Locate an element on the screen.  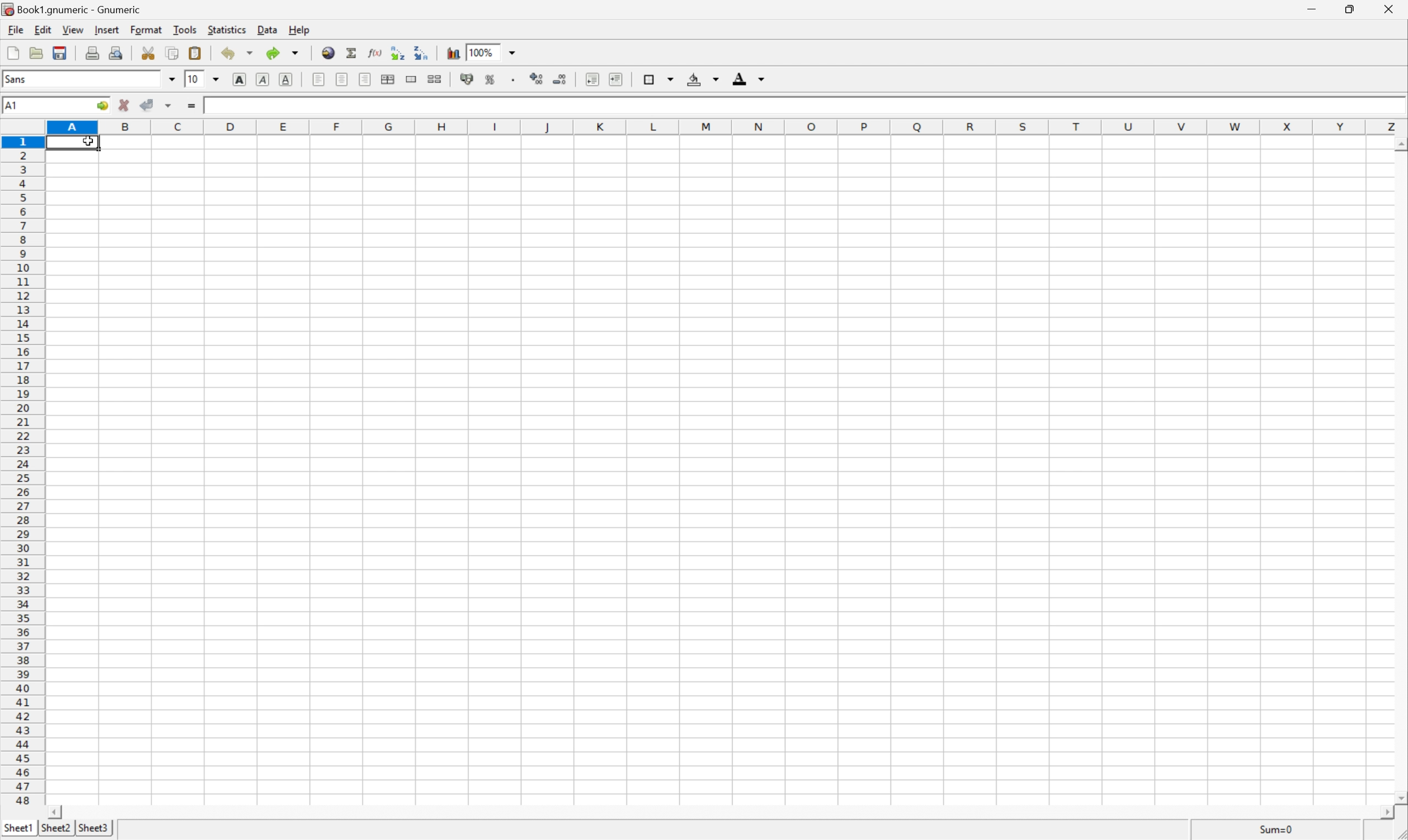
paste is located at coordinates (195, 52).